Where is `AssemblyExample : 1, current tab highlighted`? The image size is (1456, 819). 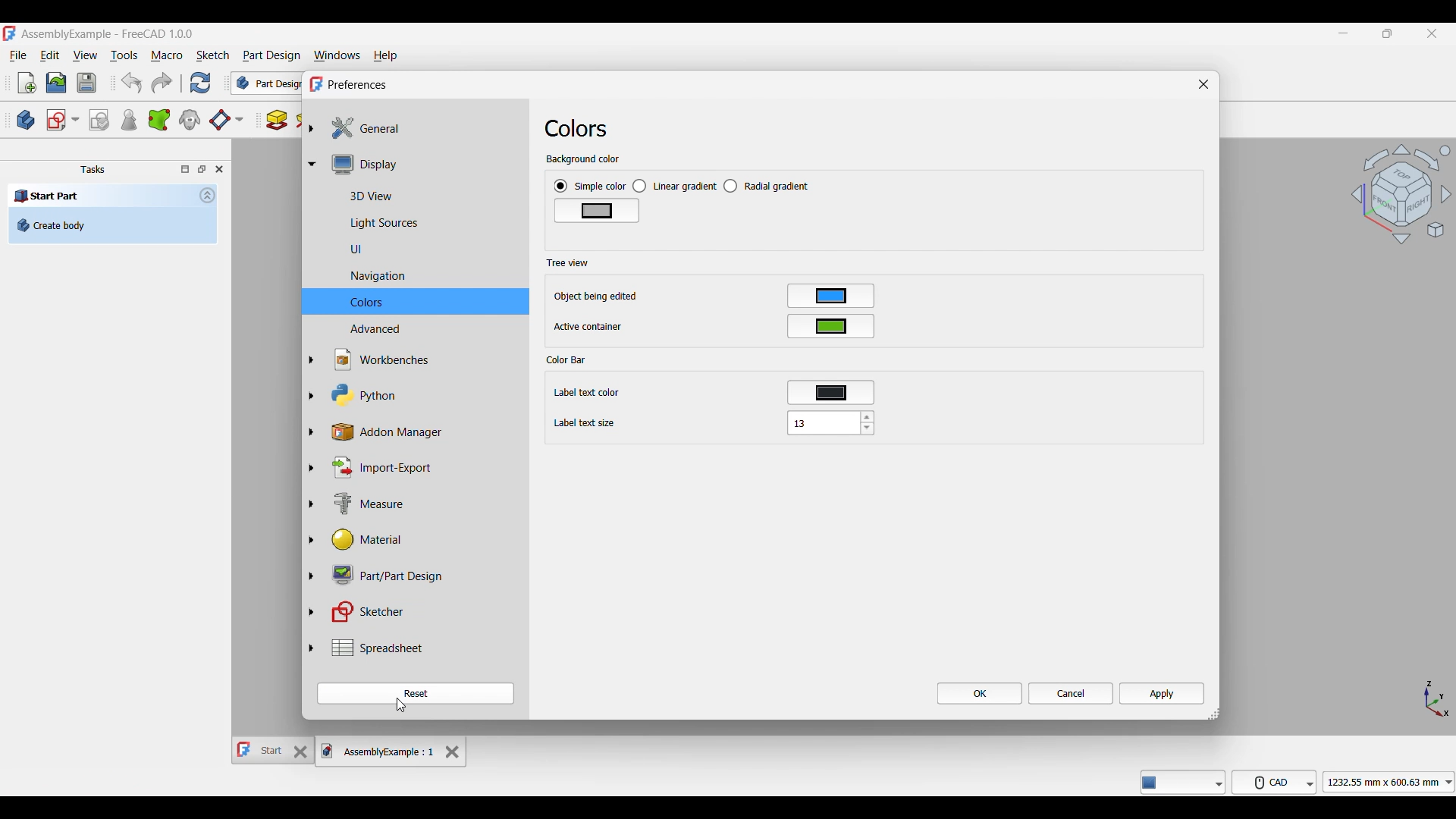 AssemblyExample : 1, current tab highlighted is located at coordinates (379, 751).